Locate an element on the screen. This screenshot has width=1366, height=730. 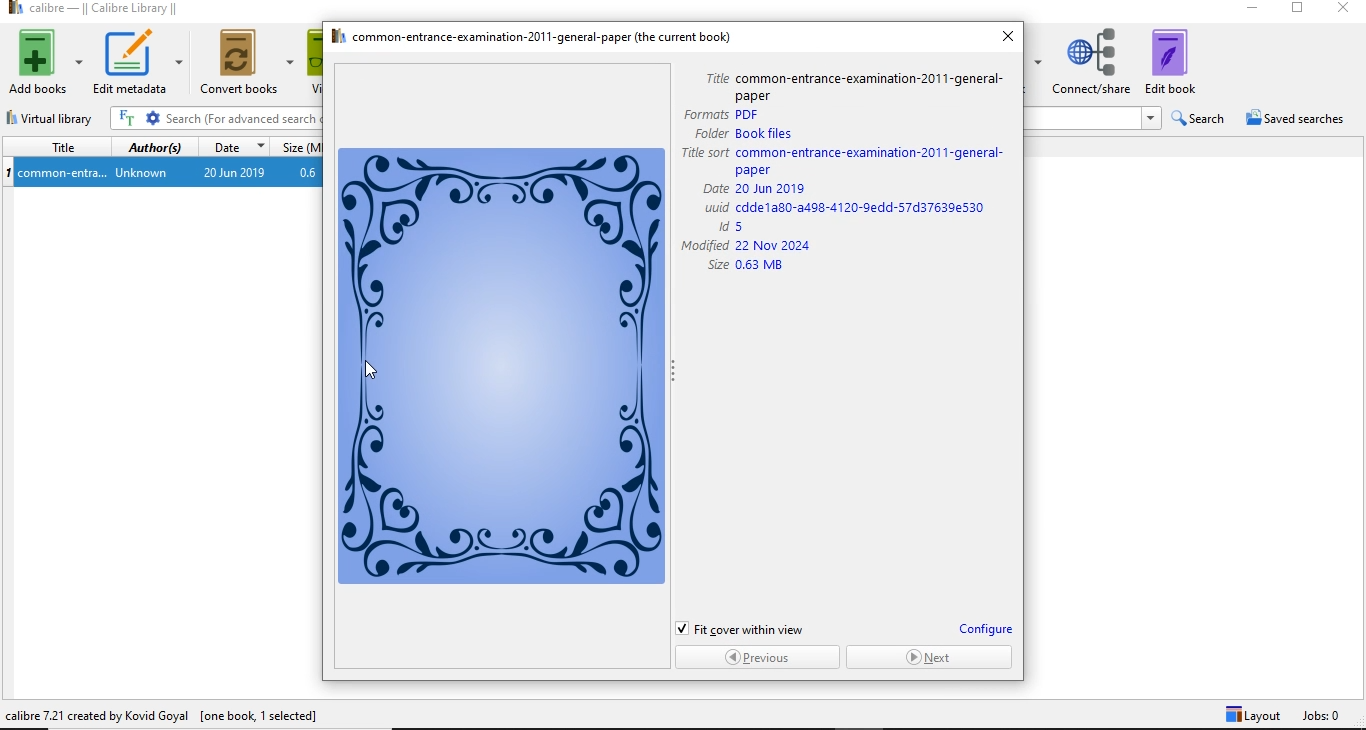
cursor is located at coordinates (367, 367).